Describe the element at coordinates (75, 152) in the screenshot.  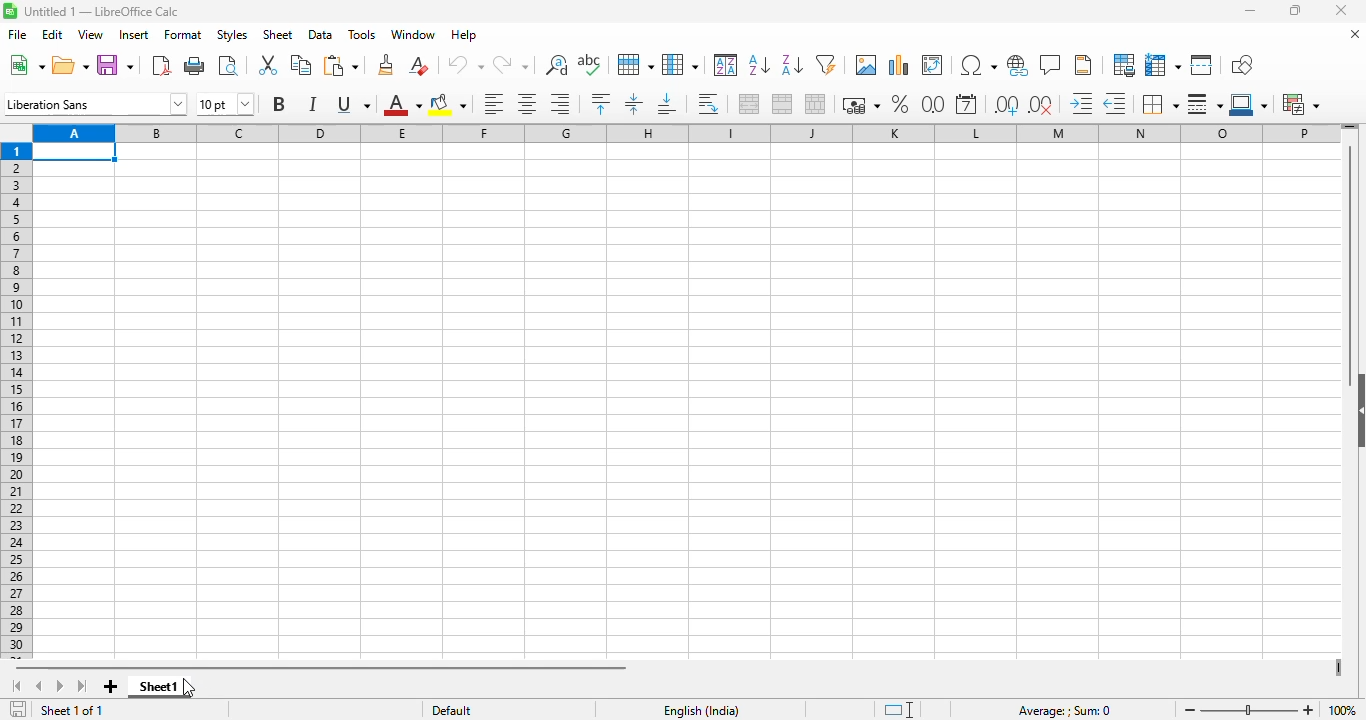
I see `active cell` at that location.